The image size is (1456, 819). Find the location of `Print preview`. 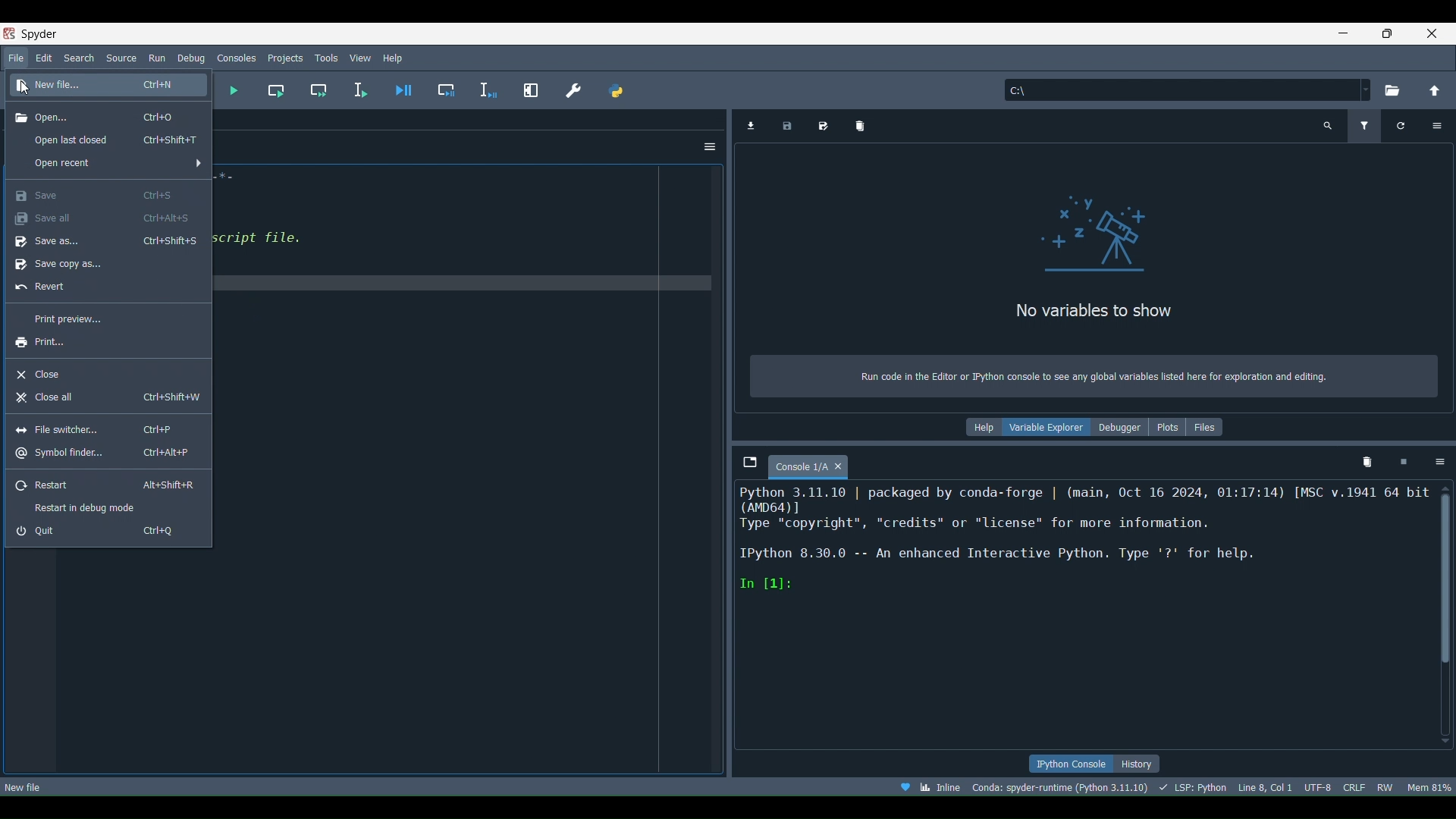

Print preview is located at coordinates (74, 316).